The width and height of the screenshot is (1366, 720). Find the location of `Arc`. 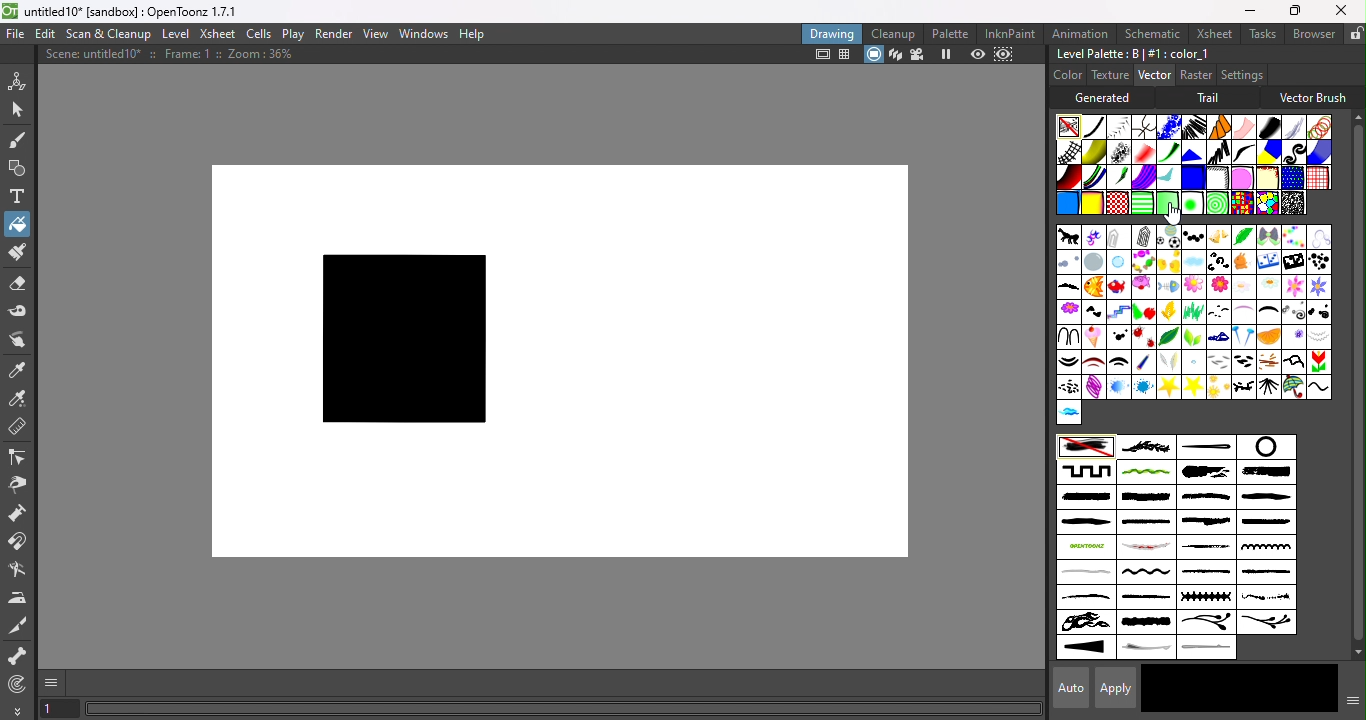

Arc is located at coordinates (1094, 237).